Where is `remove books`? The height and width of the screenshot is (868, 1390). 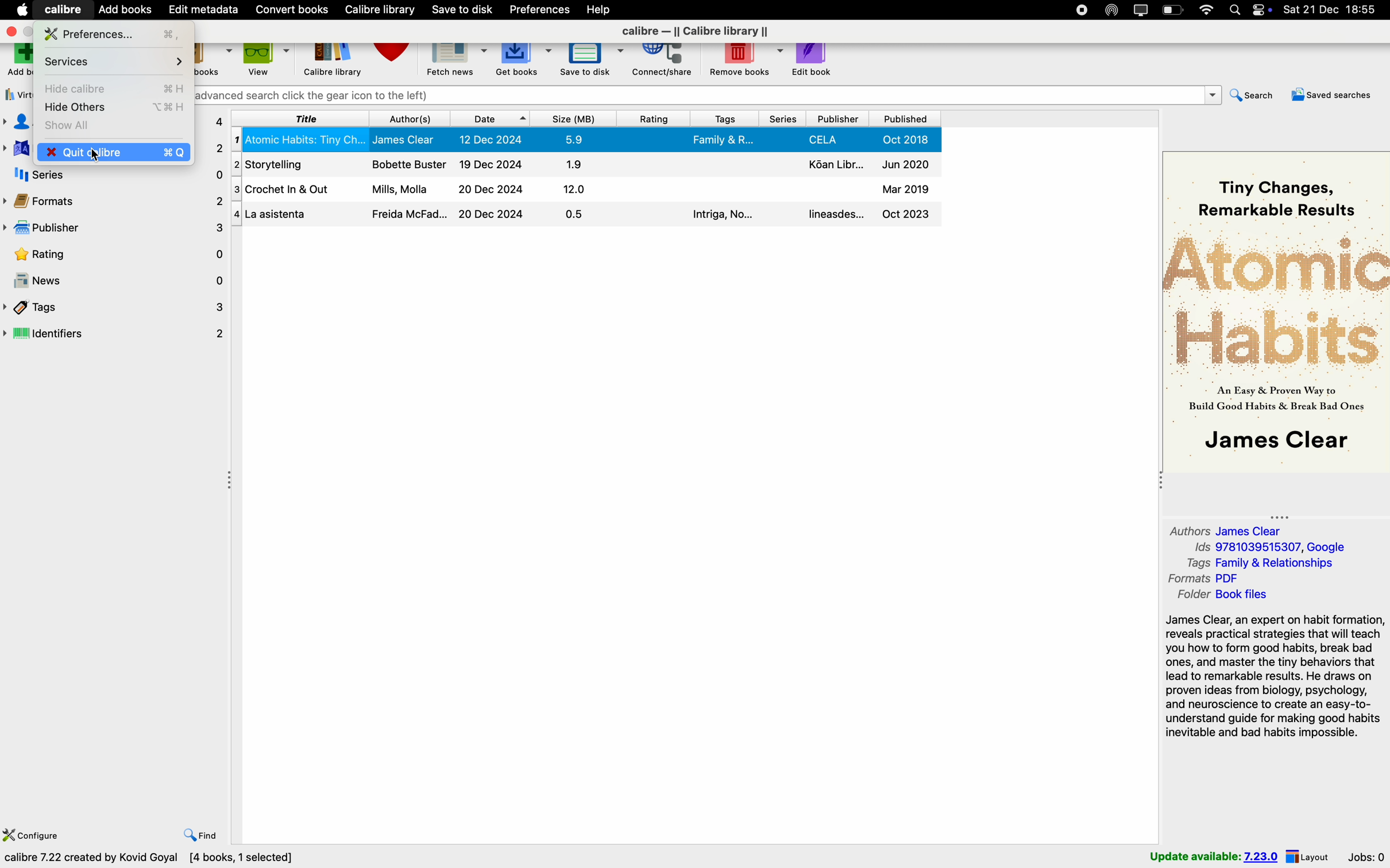 remove books is located at coordinates (742, 62).